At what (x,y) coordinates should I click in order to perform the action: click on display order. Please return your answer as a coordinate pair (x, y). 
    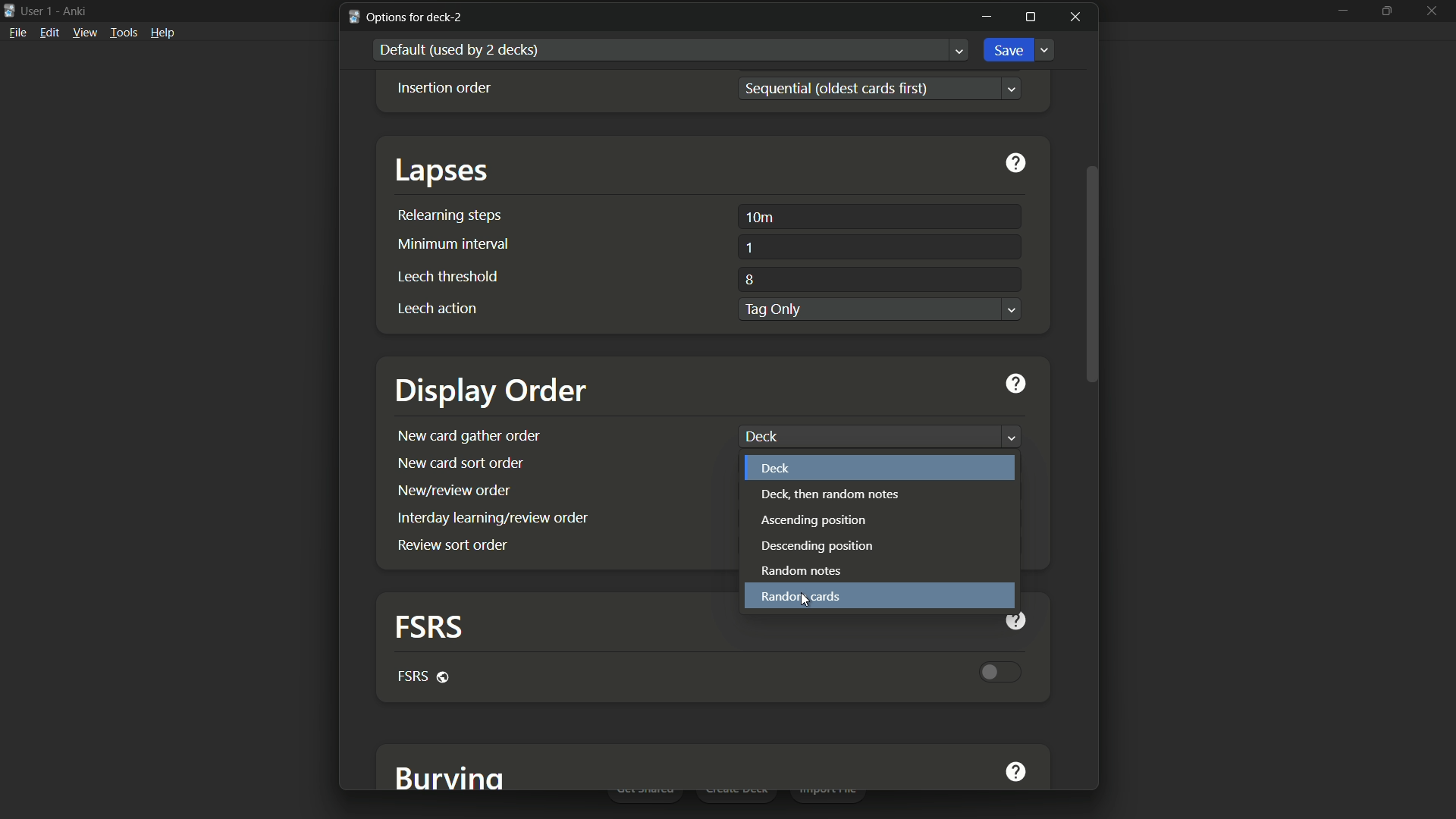
    Looking at the image, I should click on (493, 392).